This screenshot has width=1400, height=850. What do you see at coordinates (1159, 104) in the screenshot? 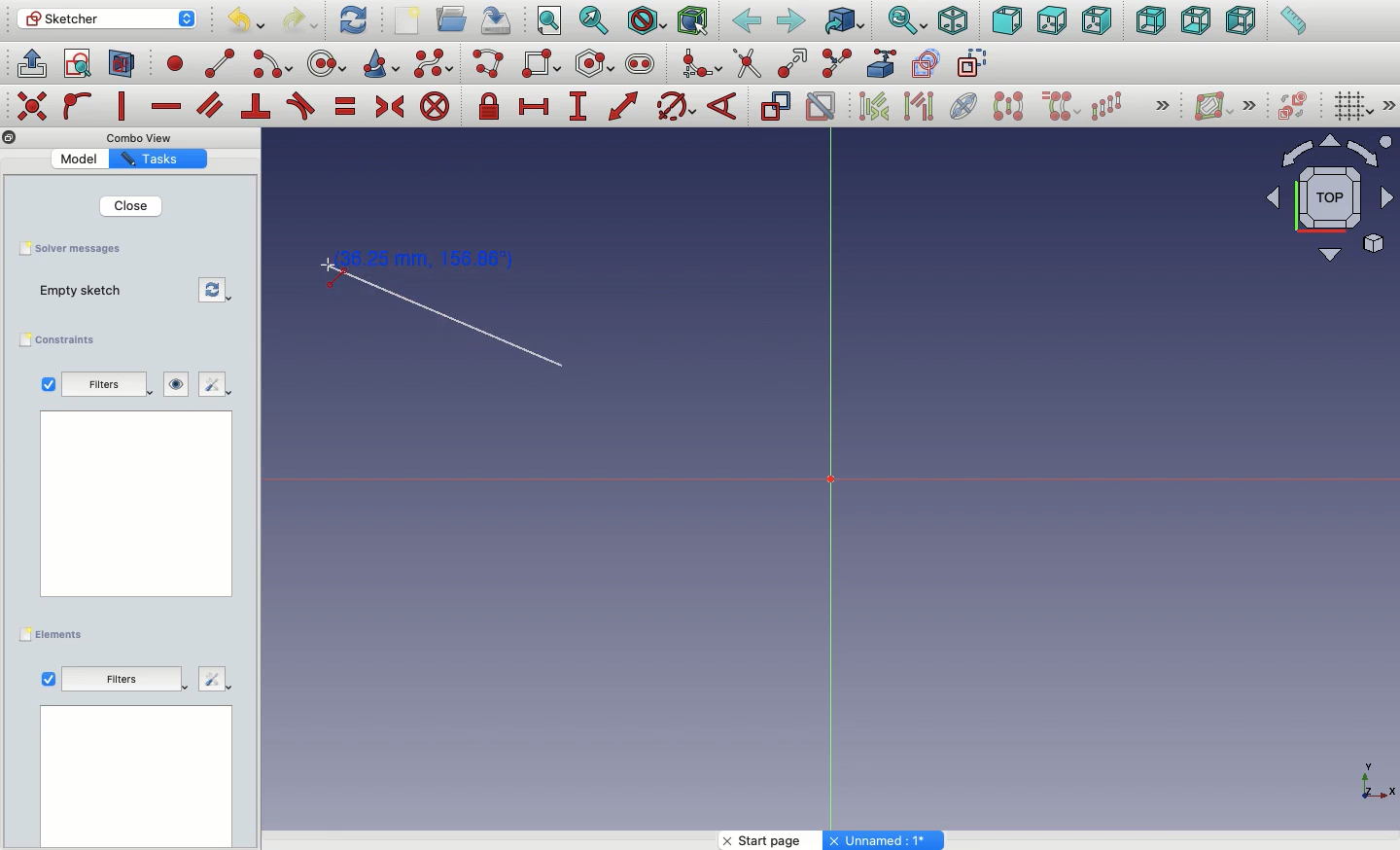
I see `` at bounding box center [1159, 104].